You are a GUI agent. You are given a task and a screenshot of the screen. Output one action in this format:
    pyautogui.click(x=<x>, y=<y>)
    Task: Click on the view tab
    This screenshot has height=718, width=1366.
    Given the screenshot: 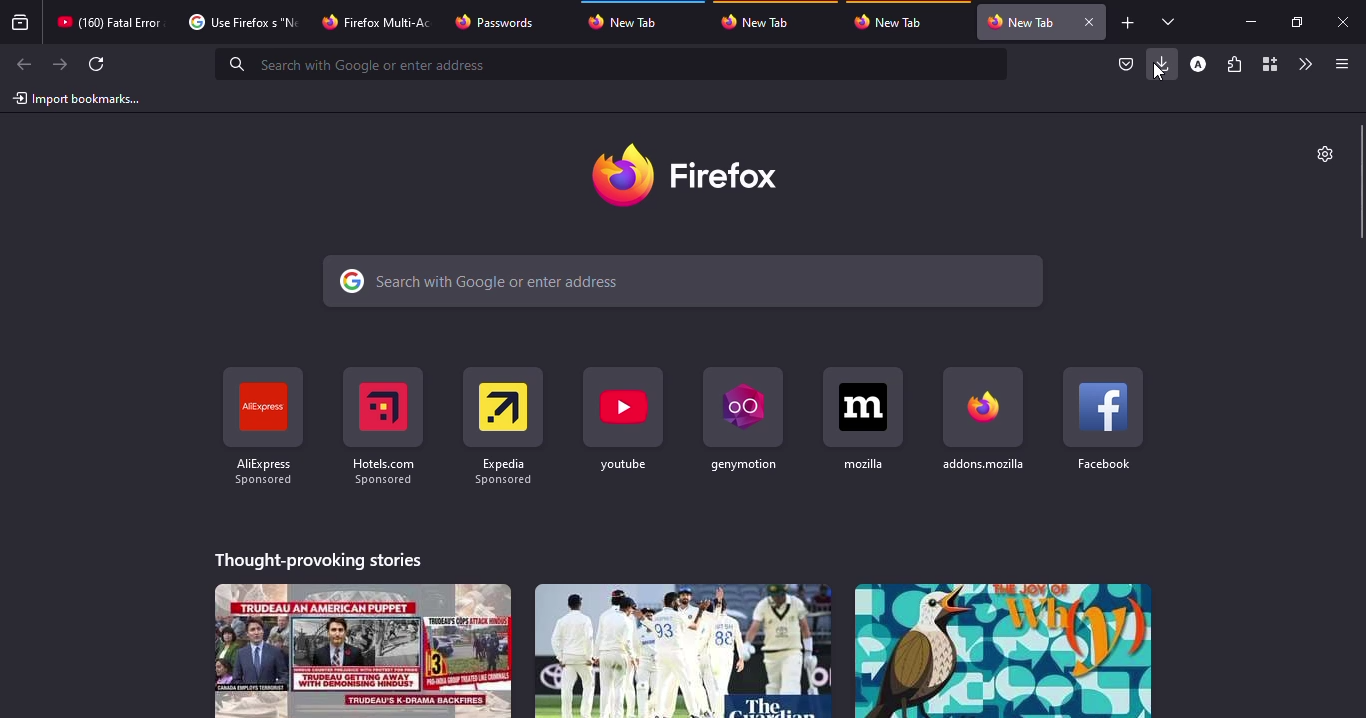 What is the action you would take?
    pyautogui.click(x=1169, y=21)
    